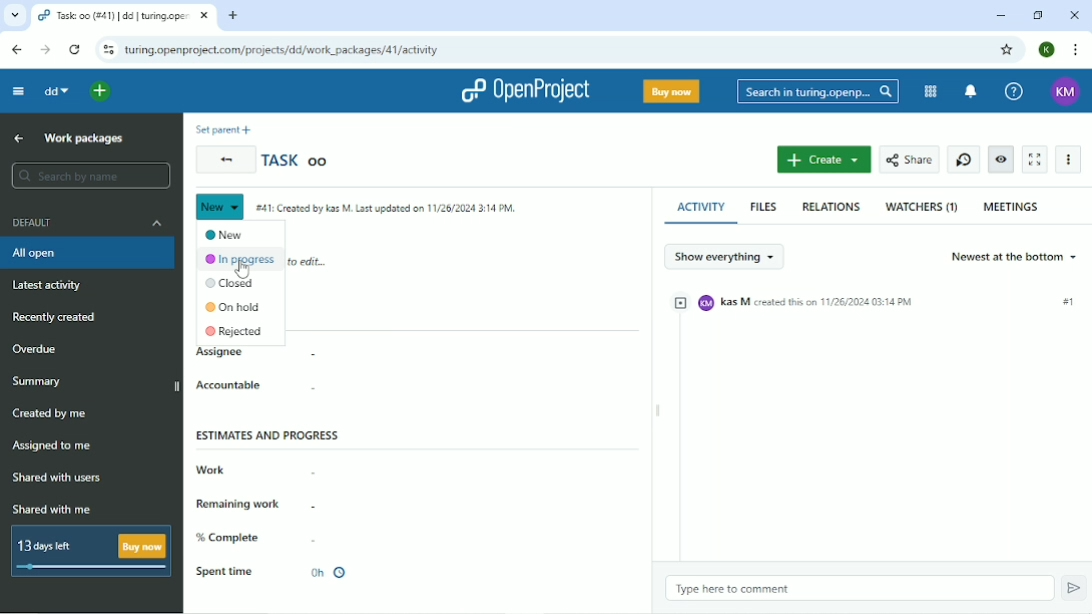 This screenshot has height=614, width=1092. I want to click on Share, so click(909, 161).